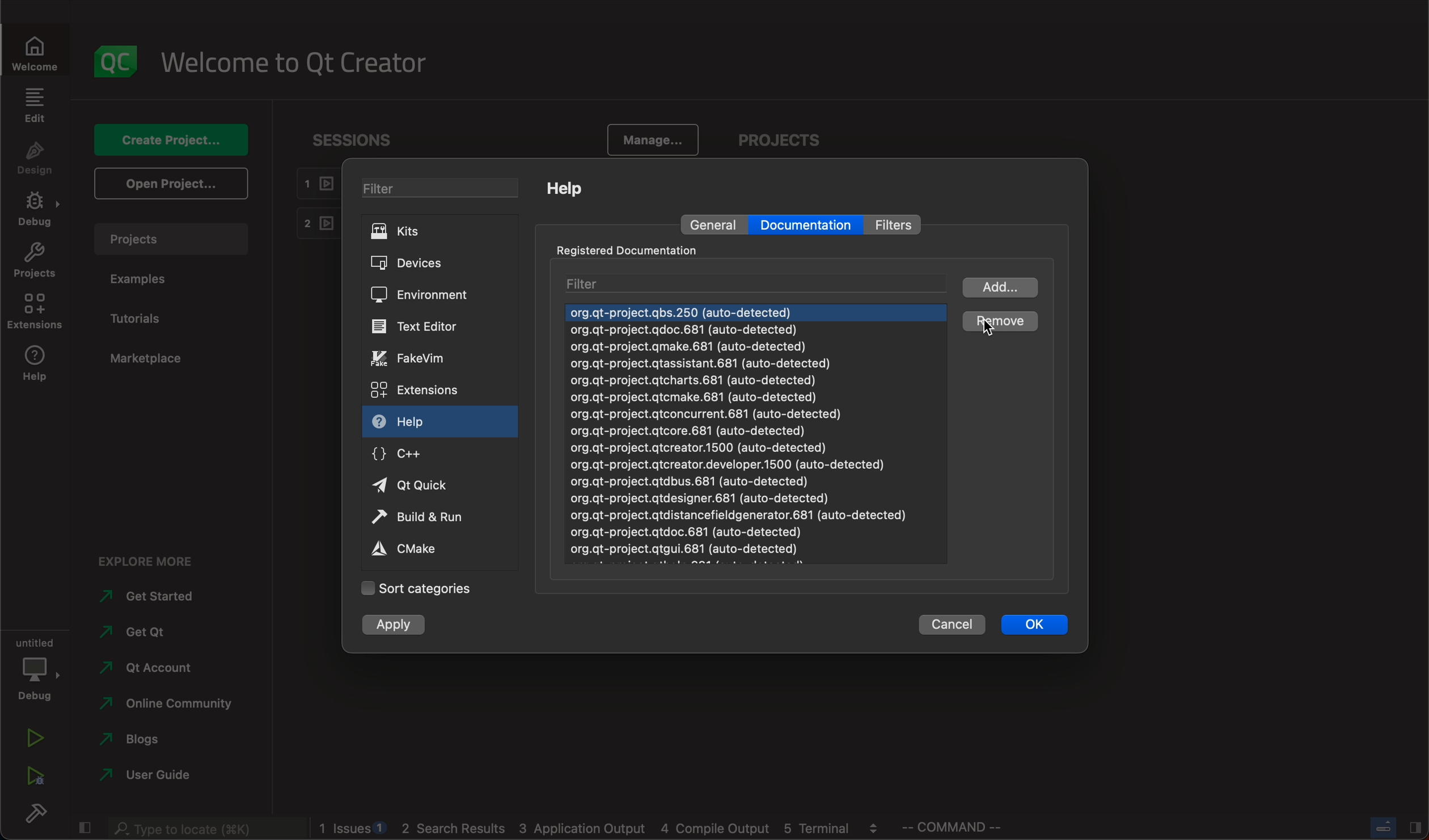 This screenshot has height=840, width=1429. What do you see at coordinates (37, 212) in the screenshot?
I see `debug` at bounding box center [37, 212].